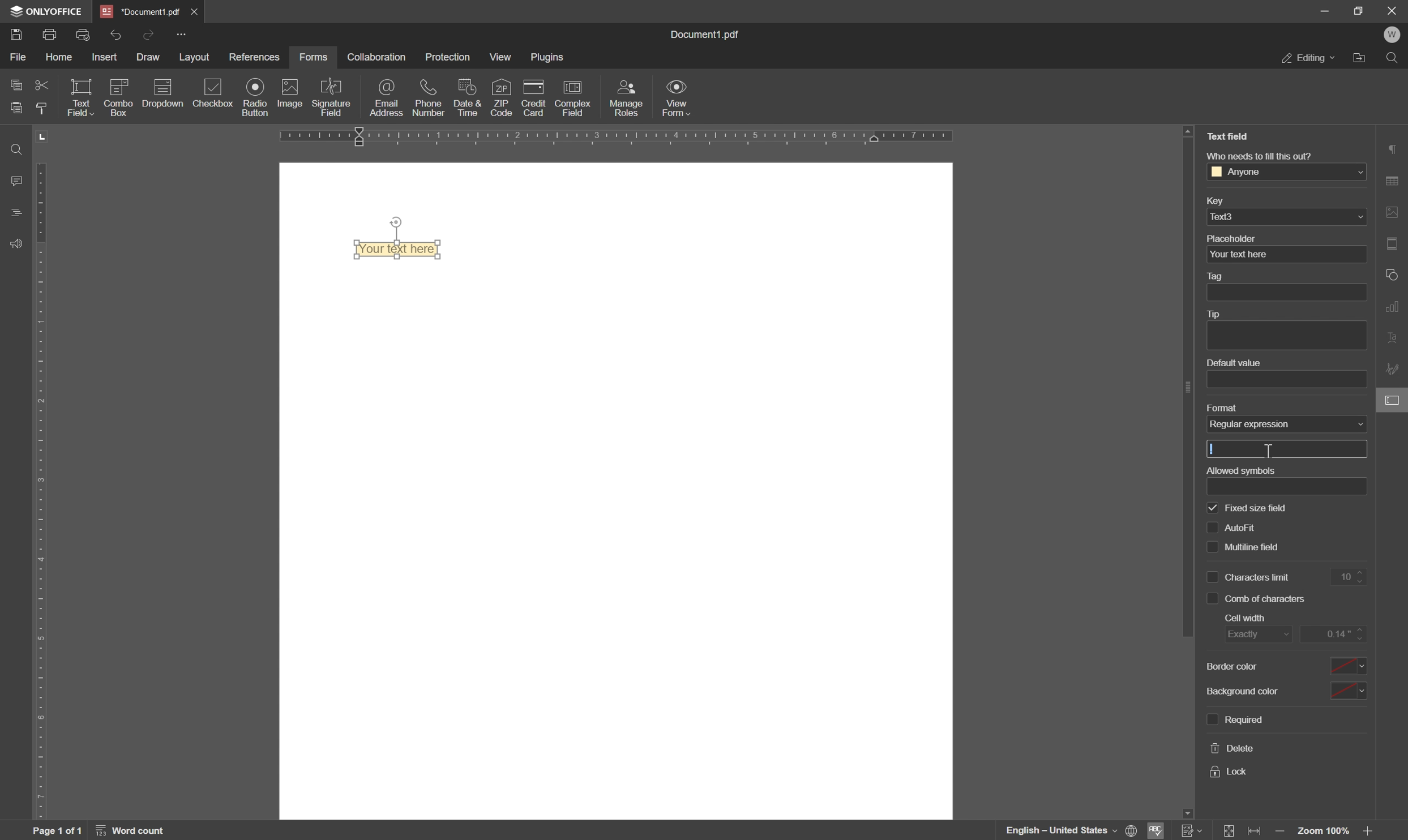  Describe the element at coordinates (255, 57) in the screenshot. I see `references` at that location.